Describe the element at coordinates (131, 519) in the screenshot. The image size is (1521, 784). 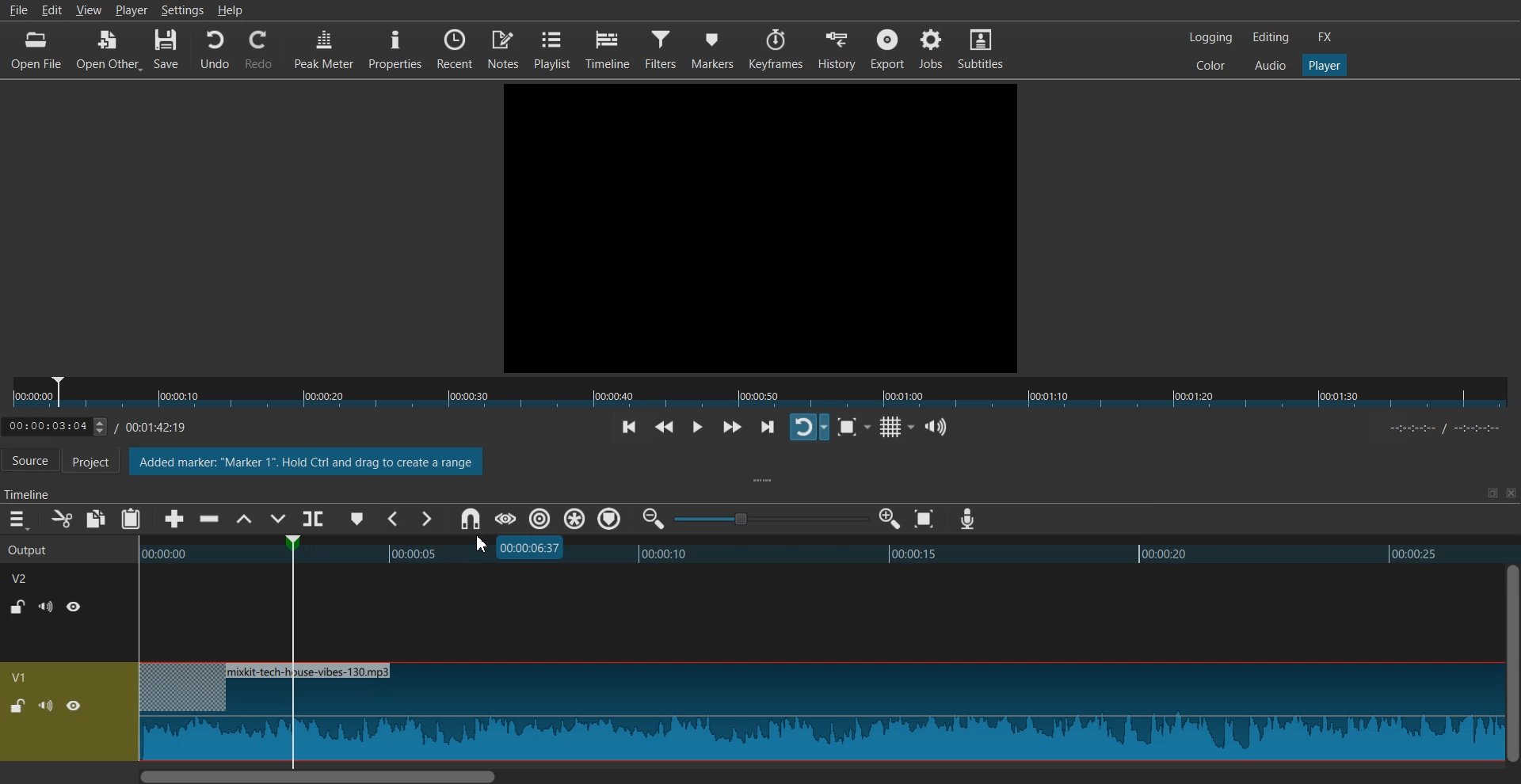
I see `Paste` at that location.